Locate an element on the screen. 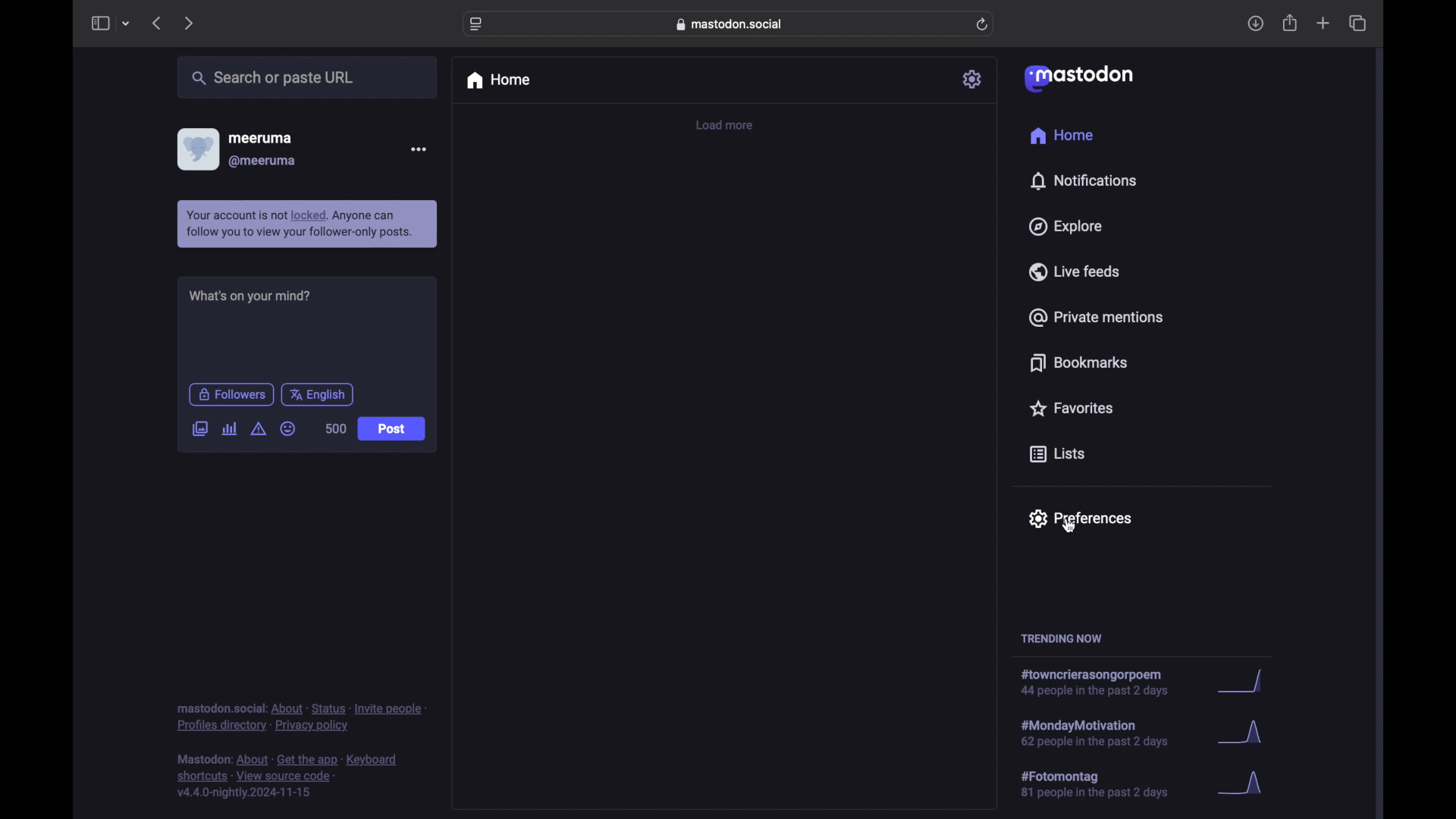  bookmarks is located at coordinates (1078, 362).